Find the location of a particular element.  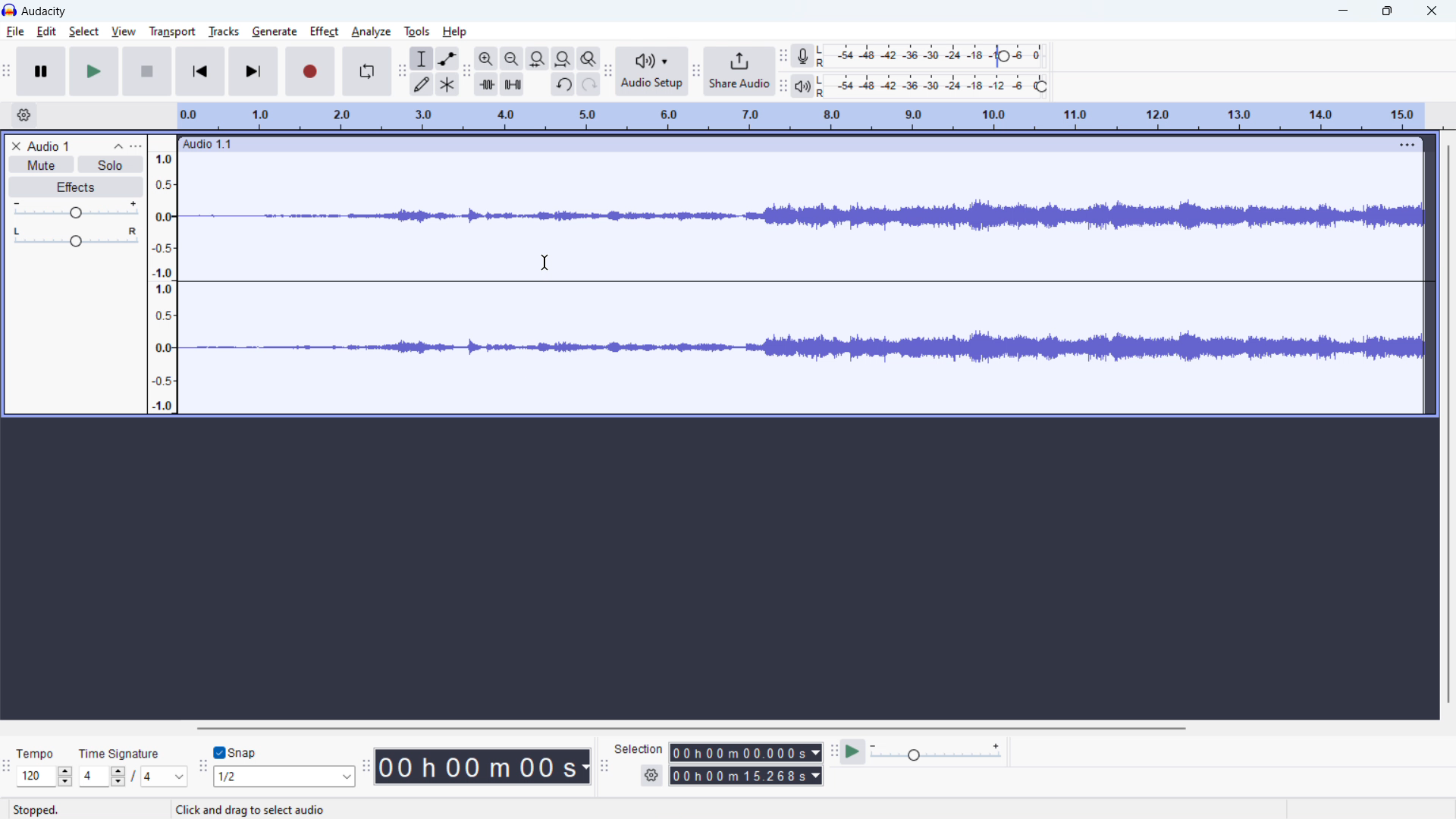

selection toolbar is located at coordinates (604, 763).